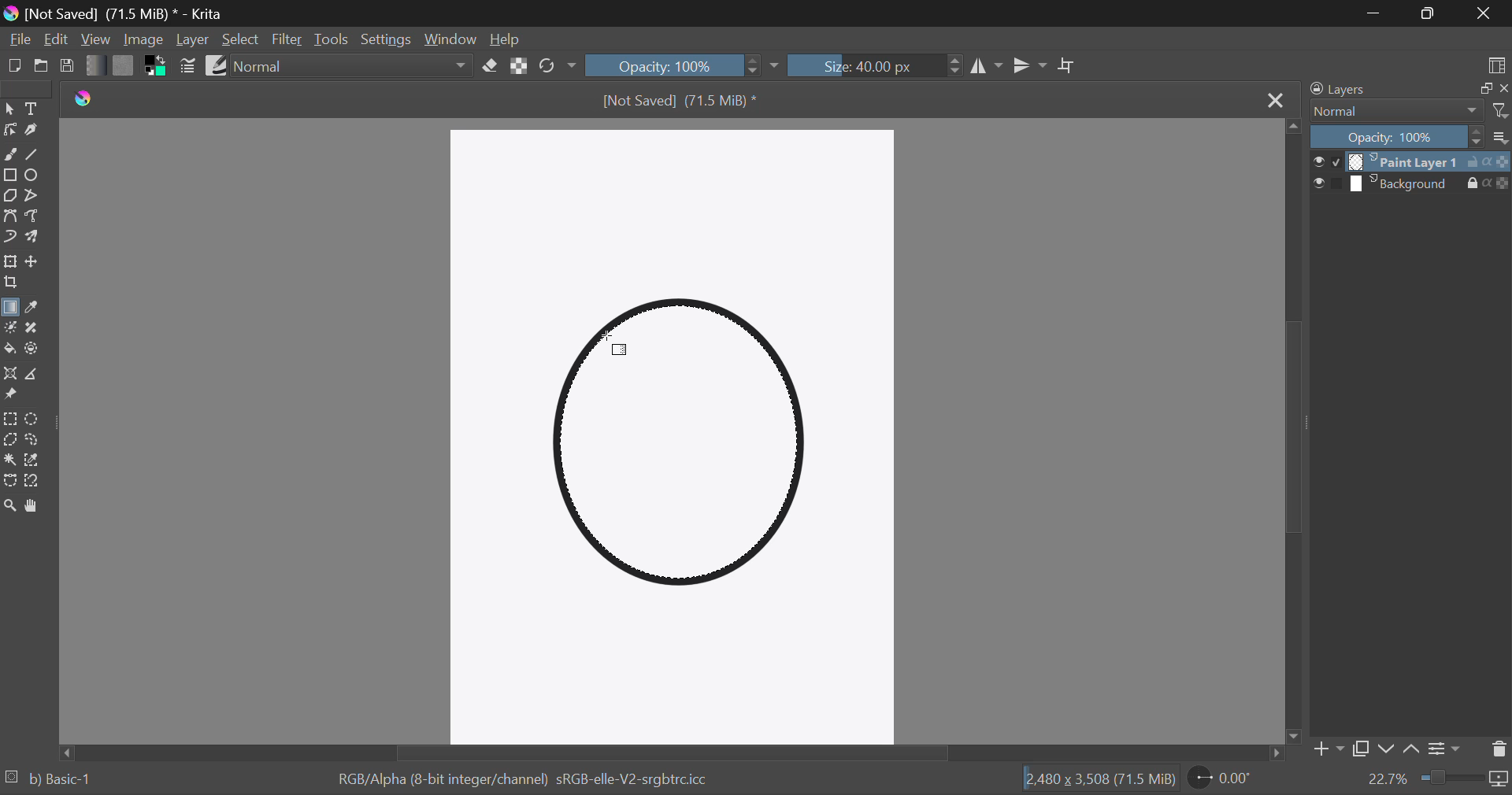 This screenshot has width=1512, height=795. What do you see at coordinates (11, 459) in the screenshot?
I see `Continuous Selection` at bounding box center [11, 459].